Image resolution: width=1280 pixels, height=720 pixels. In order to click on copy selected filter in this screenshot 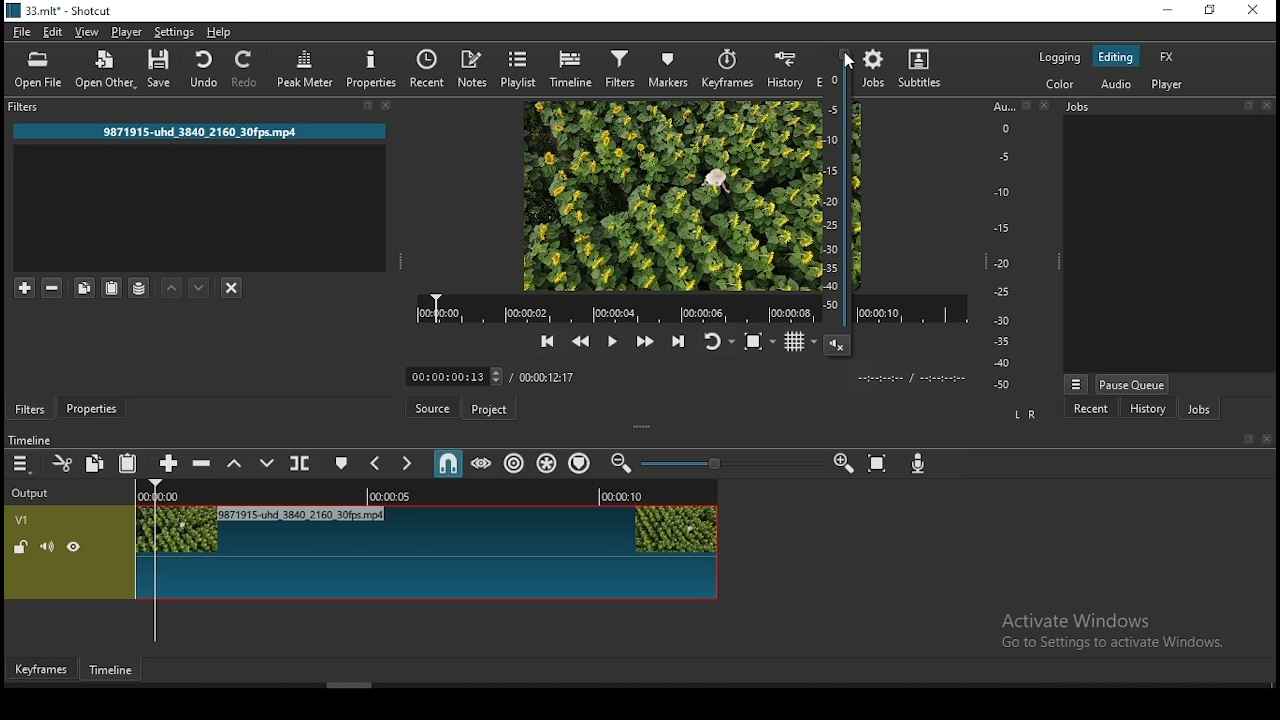, I will do `click(81, 286)`.